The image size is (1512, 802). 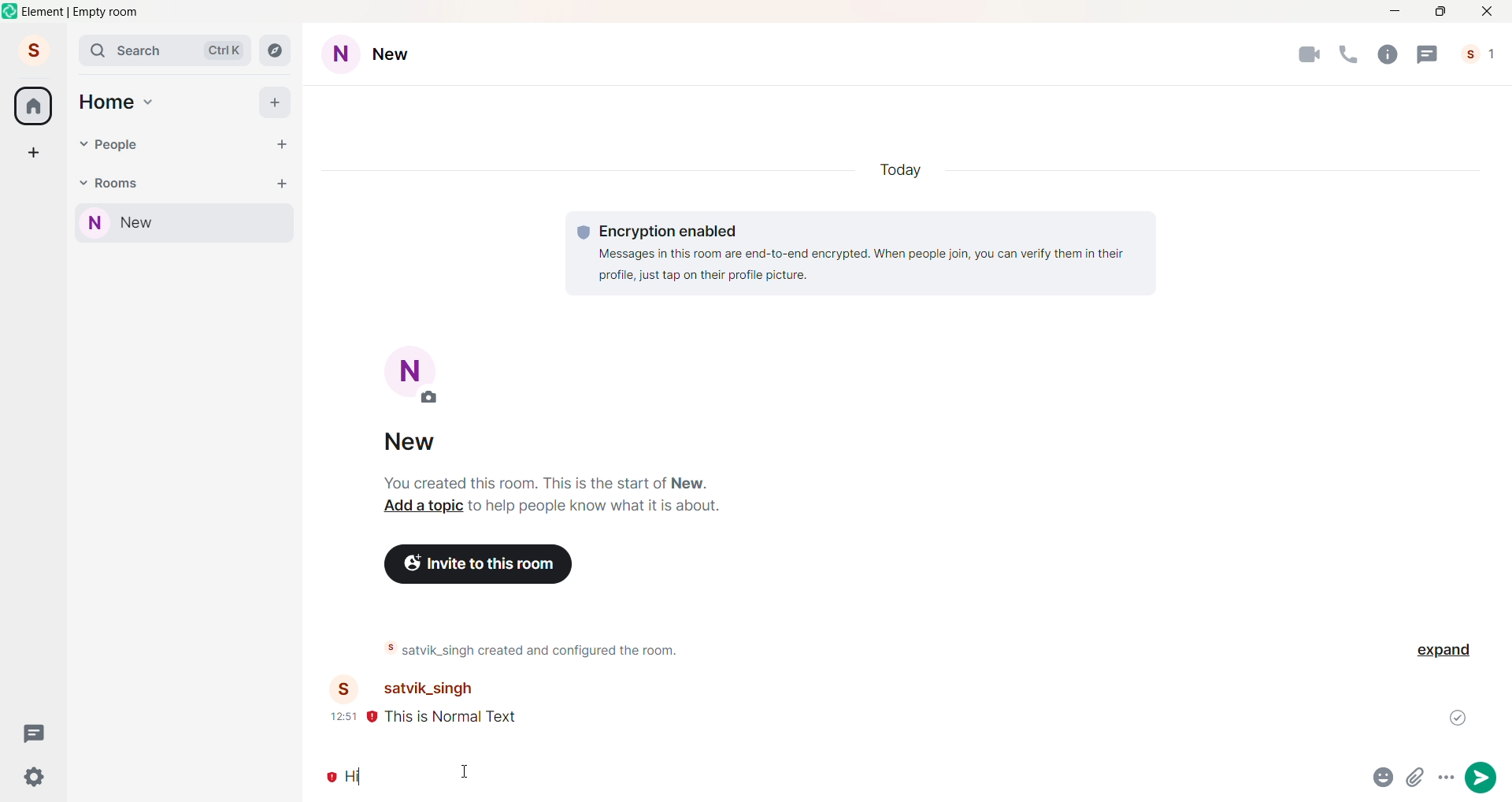 What do you see at coordinates (167, 51) in the screenshot?
I see `Search Bar` at bounding box center [167, 51].